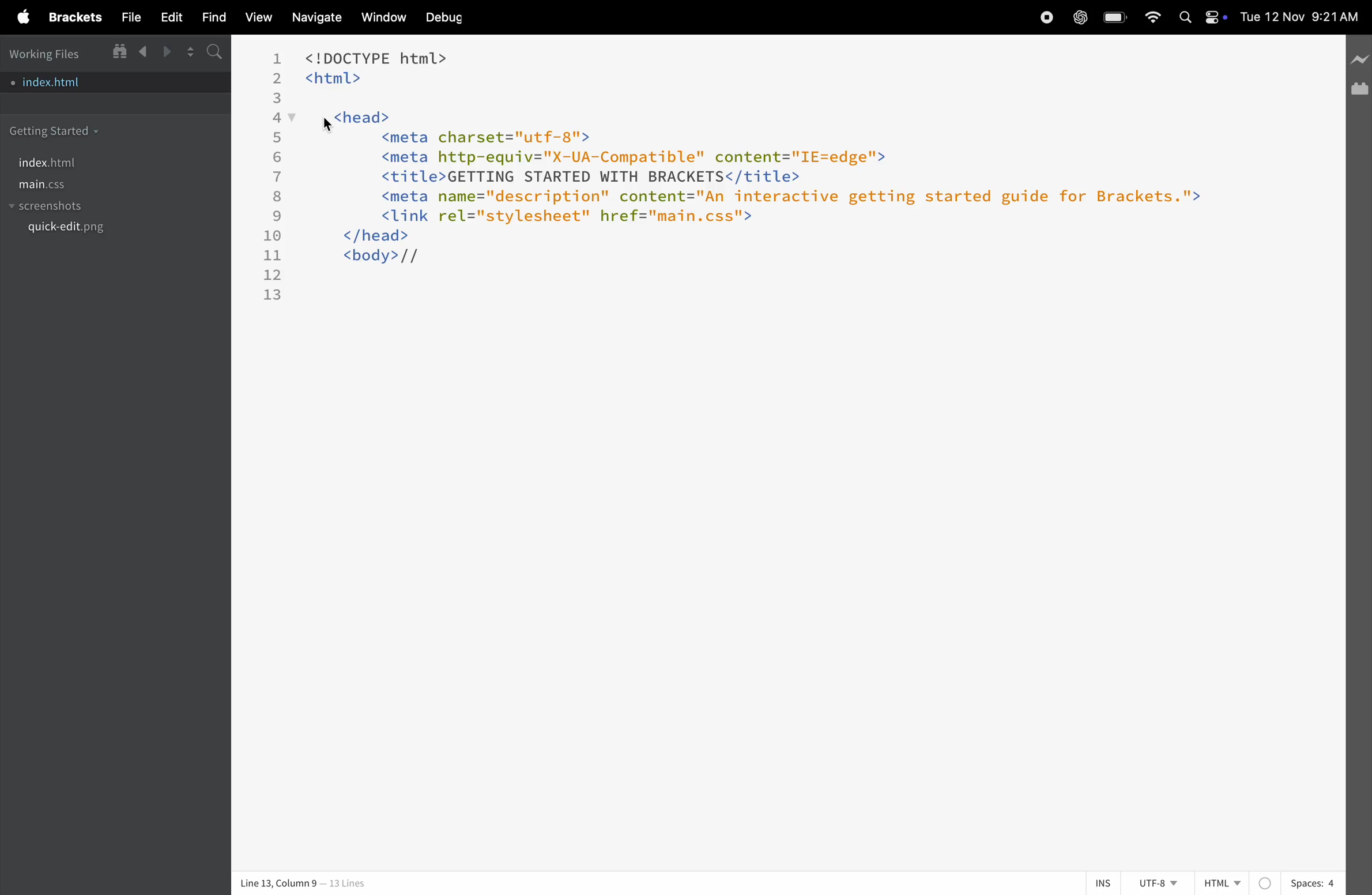 Image resolution: width=1372 pixels, height=895 pixels. What do you see at coordinates (1203, 18) in the screenshot?
I see `apple widgets` at bounding box center [1203, 18].